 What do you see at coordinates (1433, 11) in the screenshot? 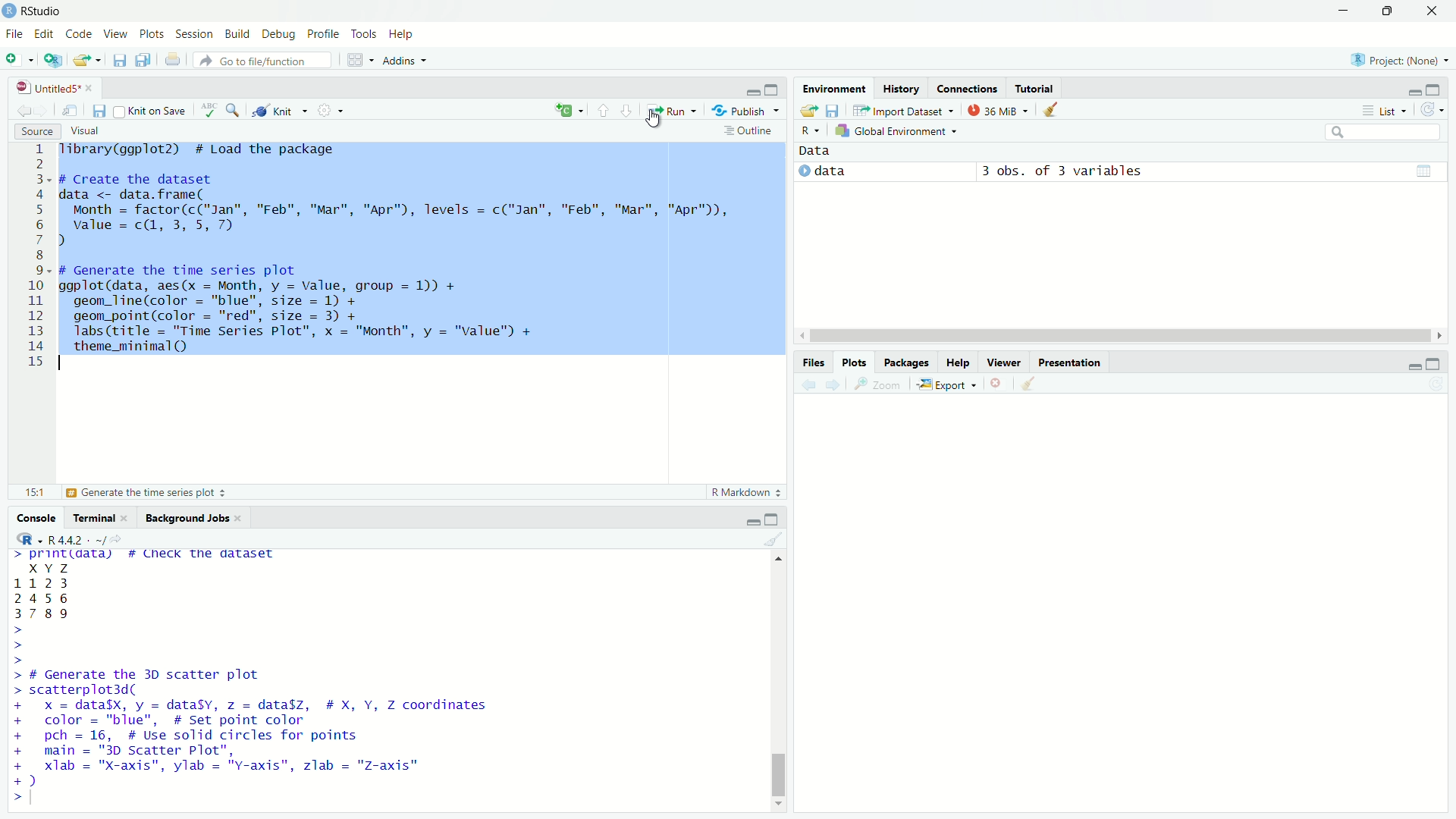
I see `close` at bounding box center [1433, 11].